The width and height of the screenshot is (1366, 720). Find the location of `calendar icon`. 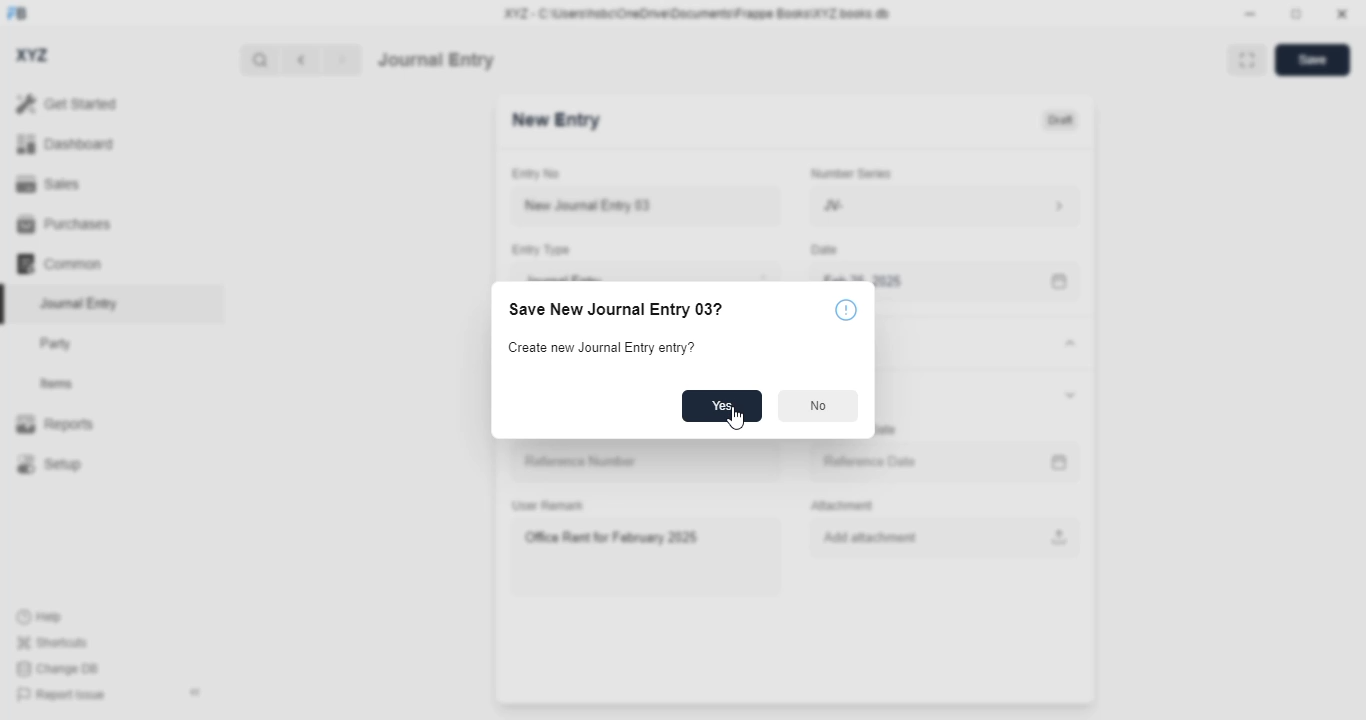

calendar icon is located at coordinates (1062, 282).